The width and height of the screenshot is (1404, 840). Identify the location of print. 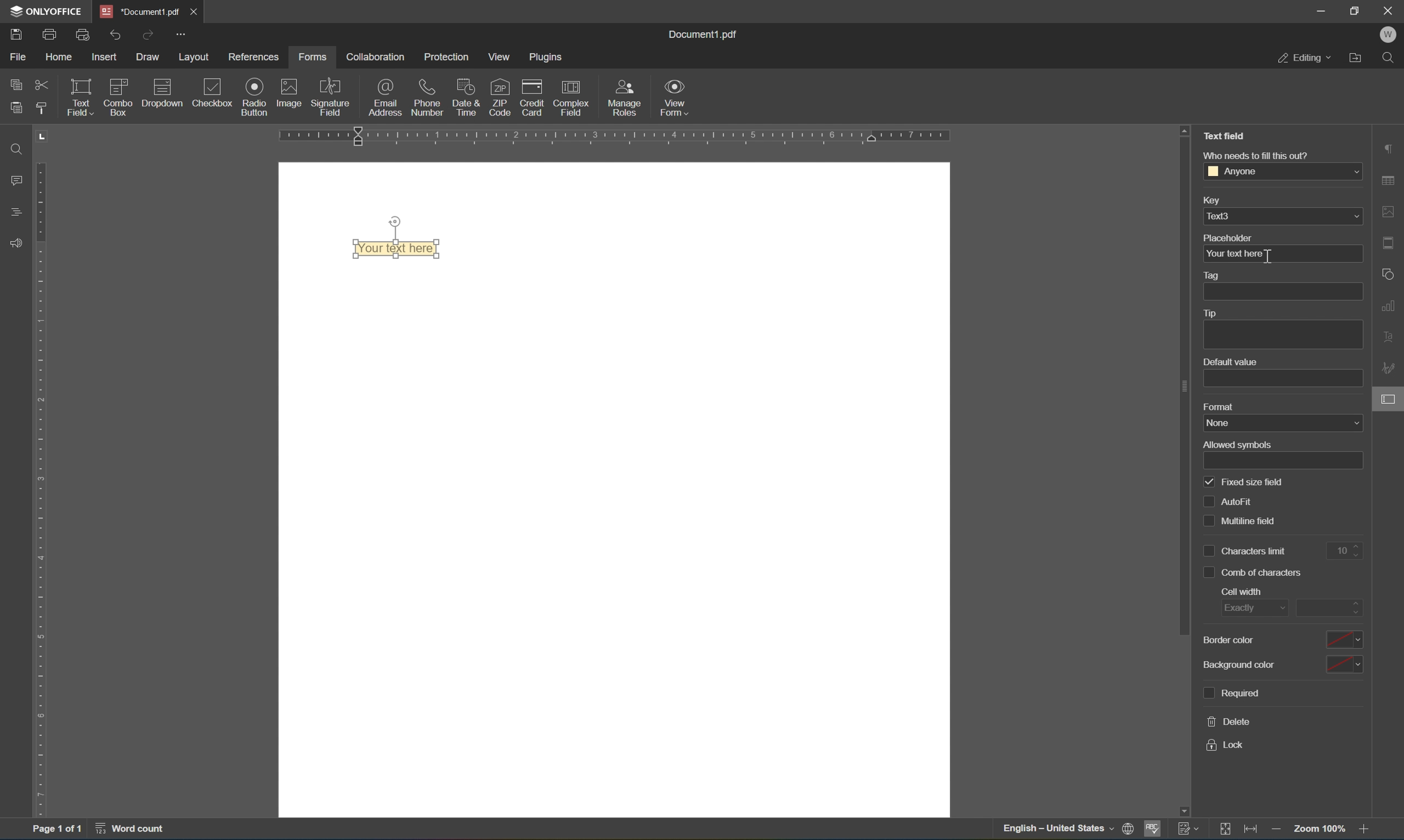
(49, 32).